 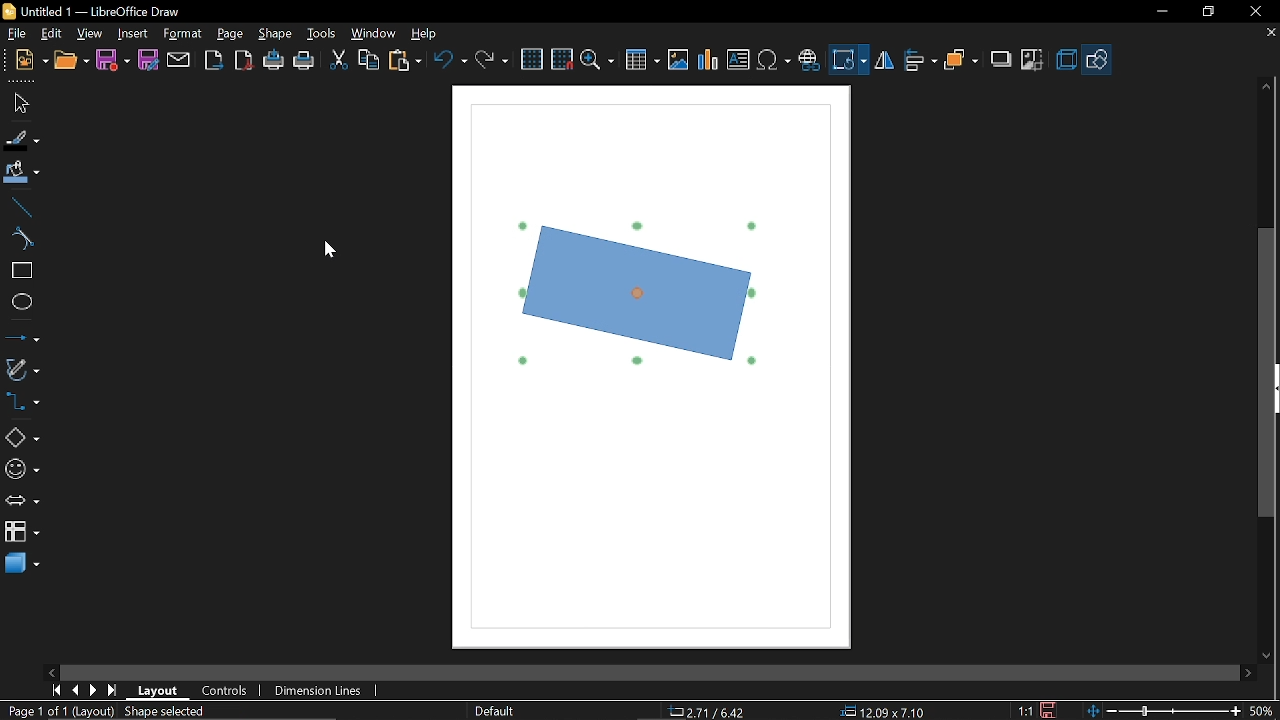 I want to click on Redo, so click(x=490, y=59).